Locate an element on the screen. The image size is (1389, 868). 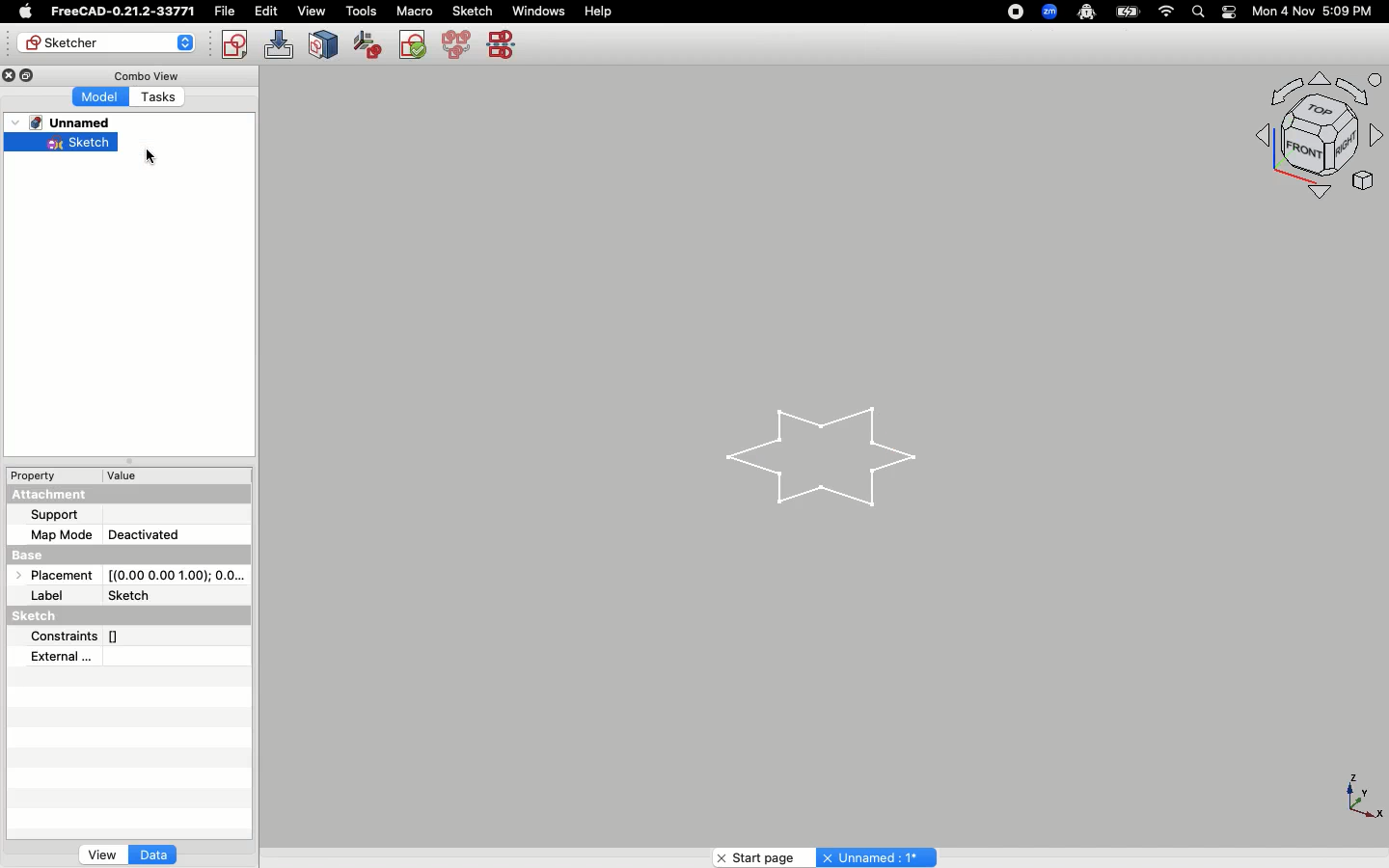
Apple Logo is located at coordinates (23, 12).